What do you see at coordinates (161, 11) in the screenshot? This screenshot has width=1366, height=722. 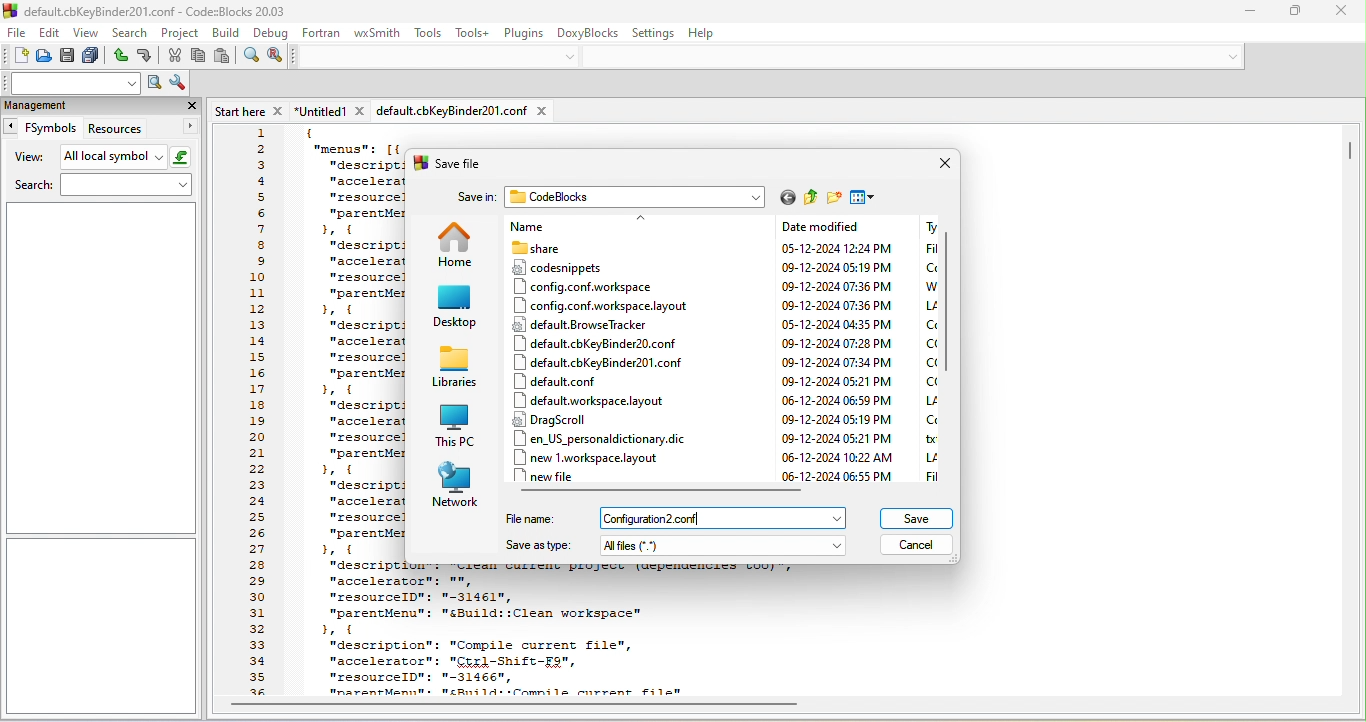 I see `default.cbKeyBinder201.conf - CodezBlocks 20.03` at bounding box center [161, 11].